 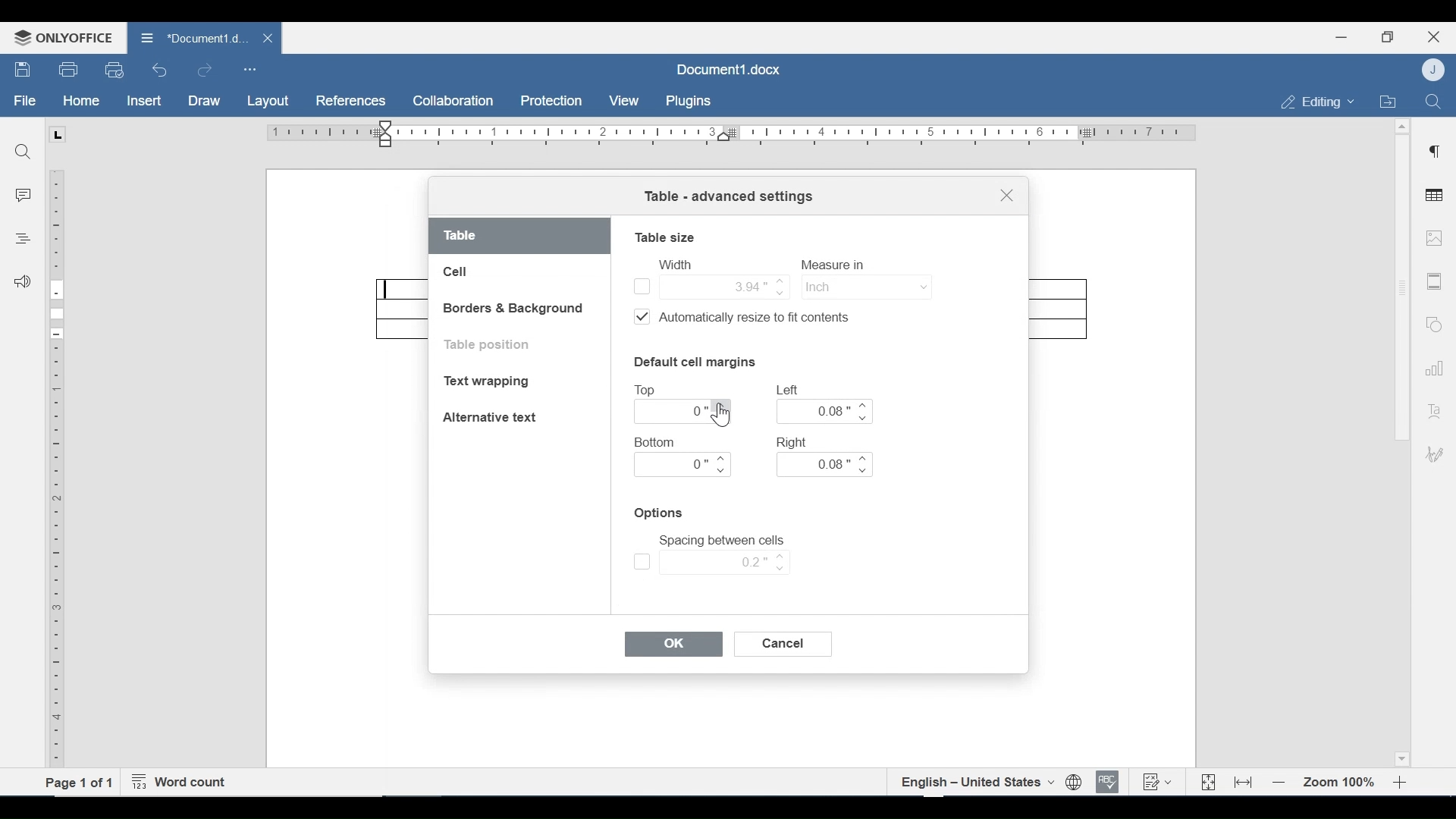 I want to click on Set document language, so click(x=1075, y=783).